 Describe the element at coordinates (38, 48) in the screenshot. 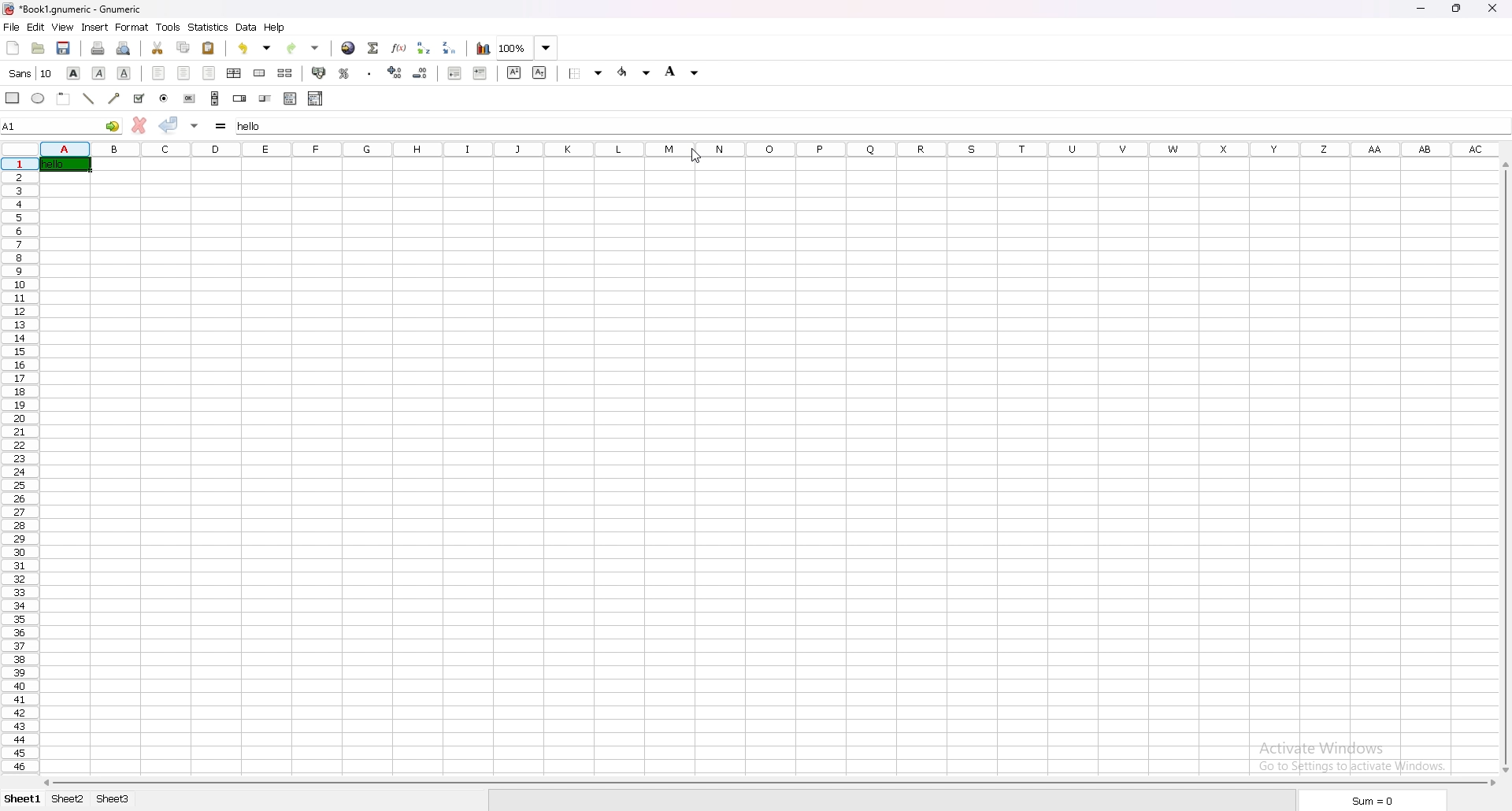

I see `open` at that location.